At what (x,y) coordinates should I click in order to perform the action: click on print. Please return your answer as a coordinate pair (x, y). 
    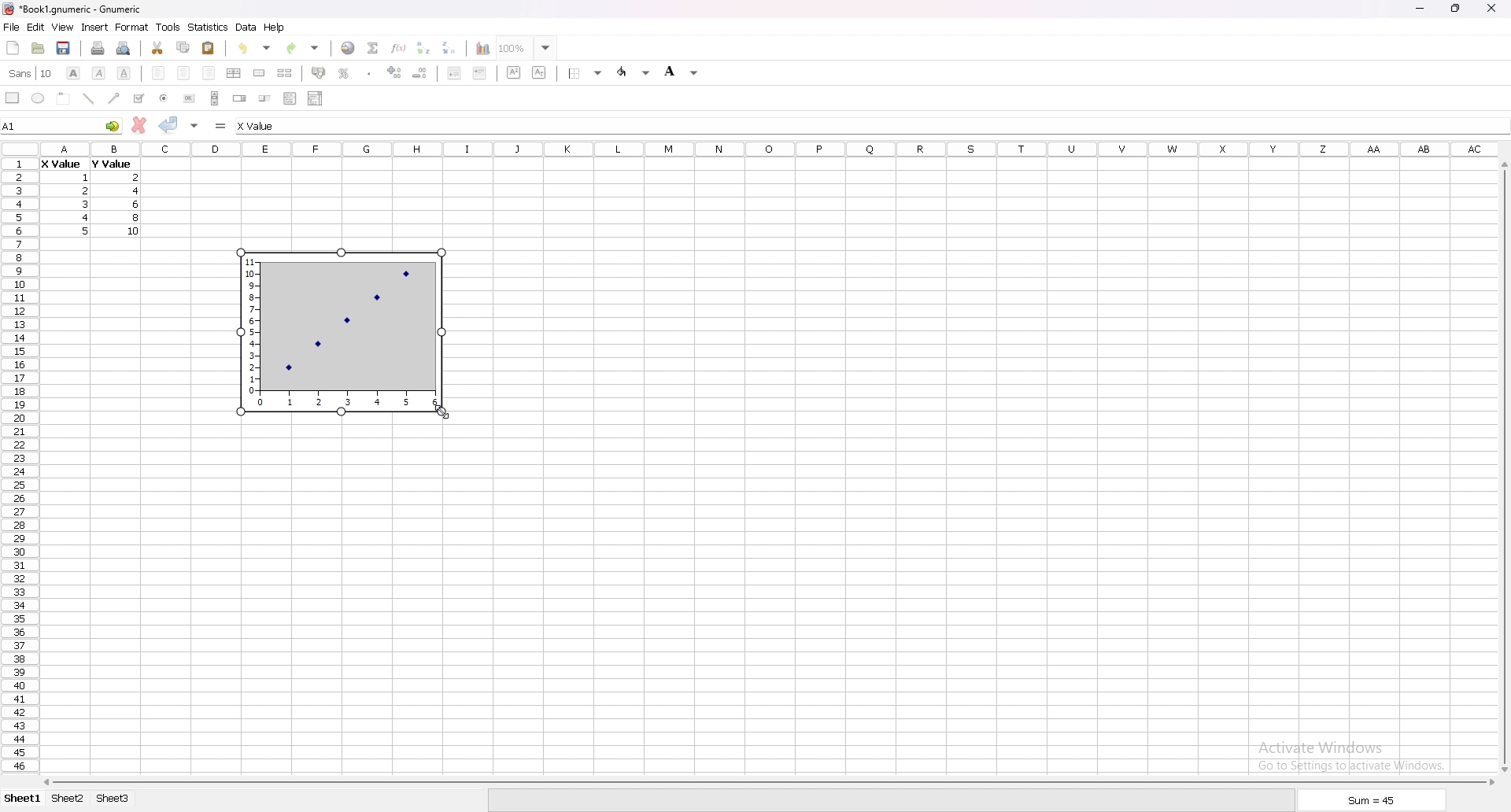
    Looking at the image, I should click on (98, 48).